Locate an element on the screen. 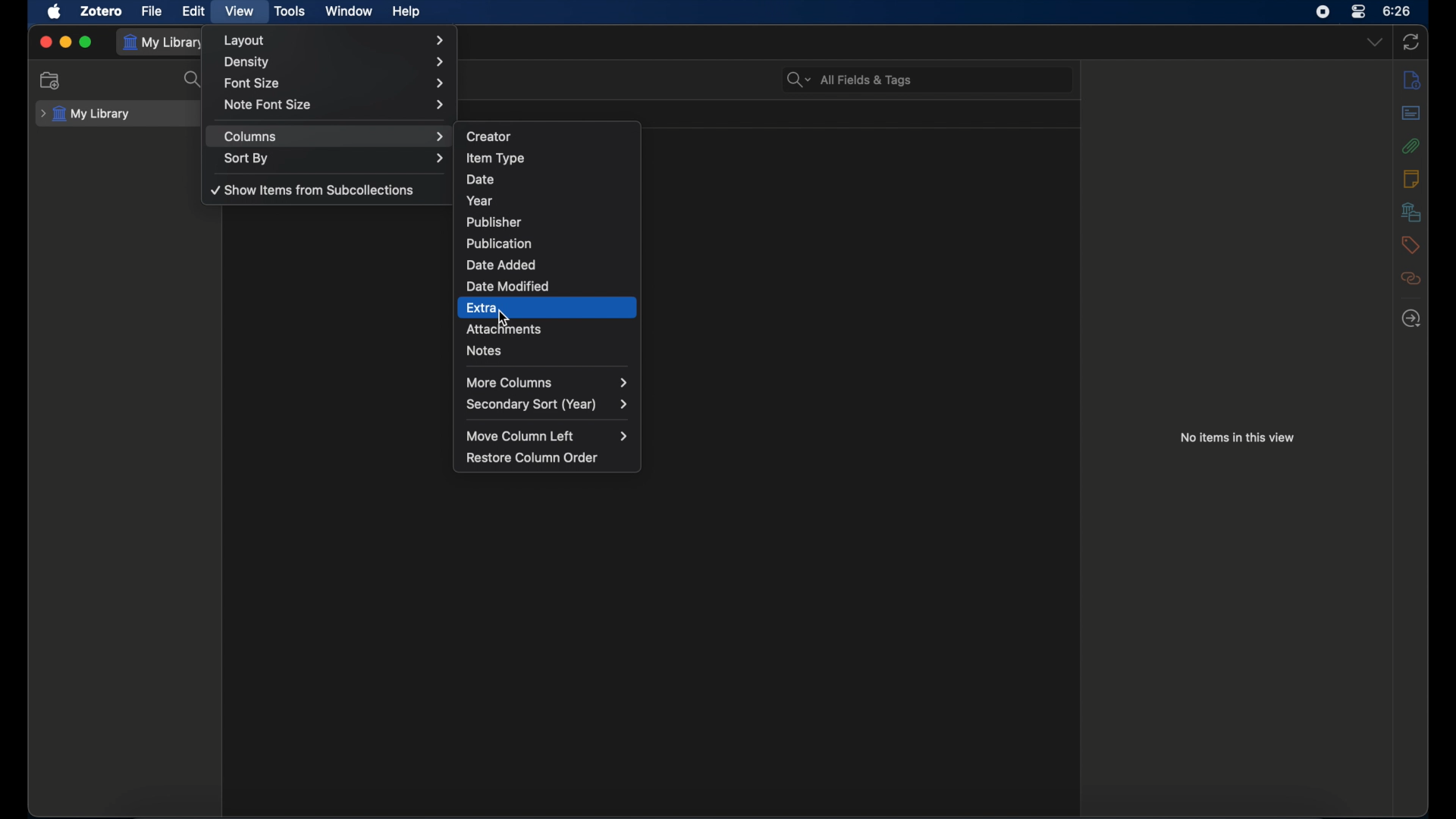 The height and width of the screenshot is (819, 1456). time is located at coordinates (1398, 10).